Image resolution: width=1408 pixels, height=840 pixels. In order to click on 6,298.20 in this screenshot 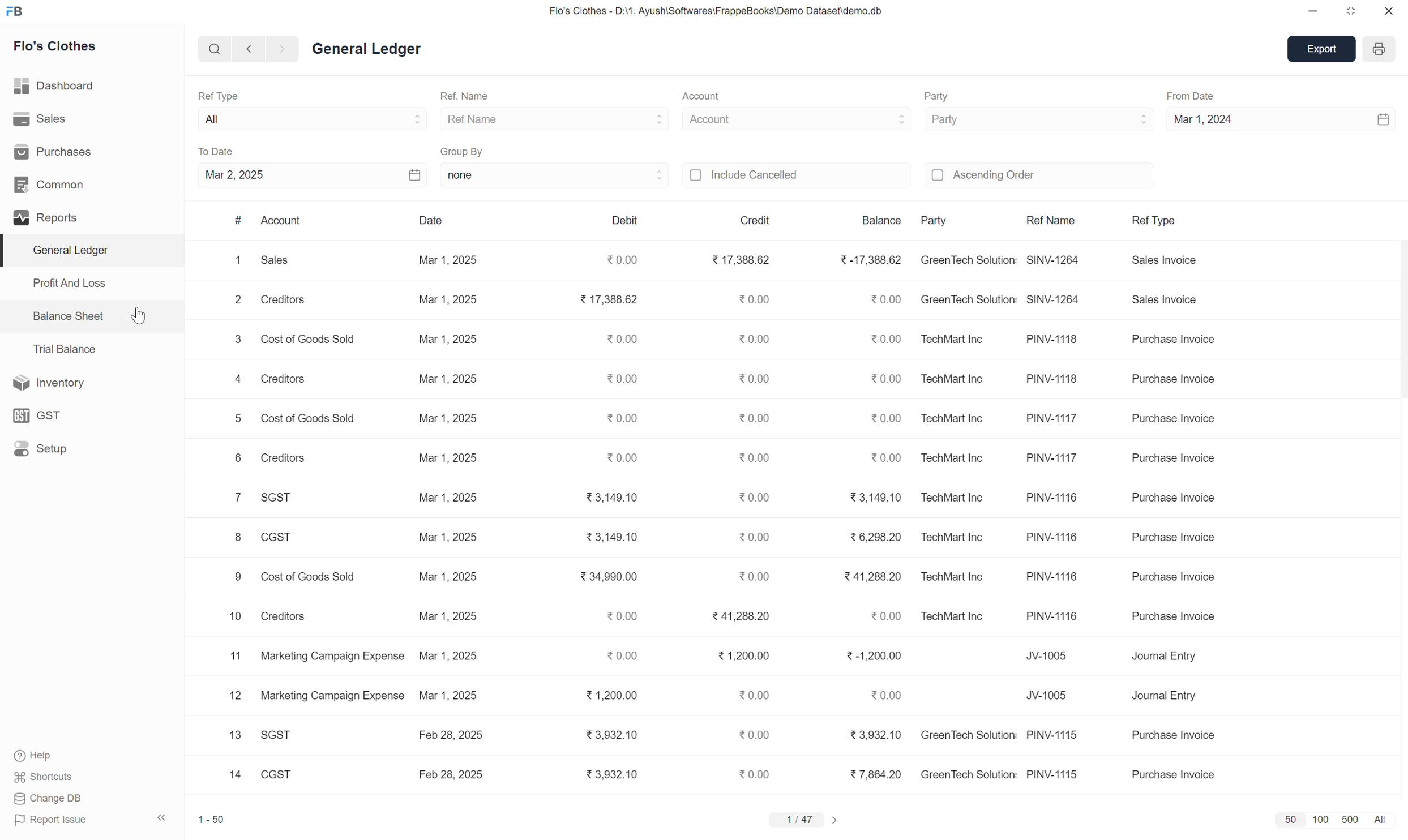, I will do `click(869, 537)`.